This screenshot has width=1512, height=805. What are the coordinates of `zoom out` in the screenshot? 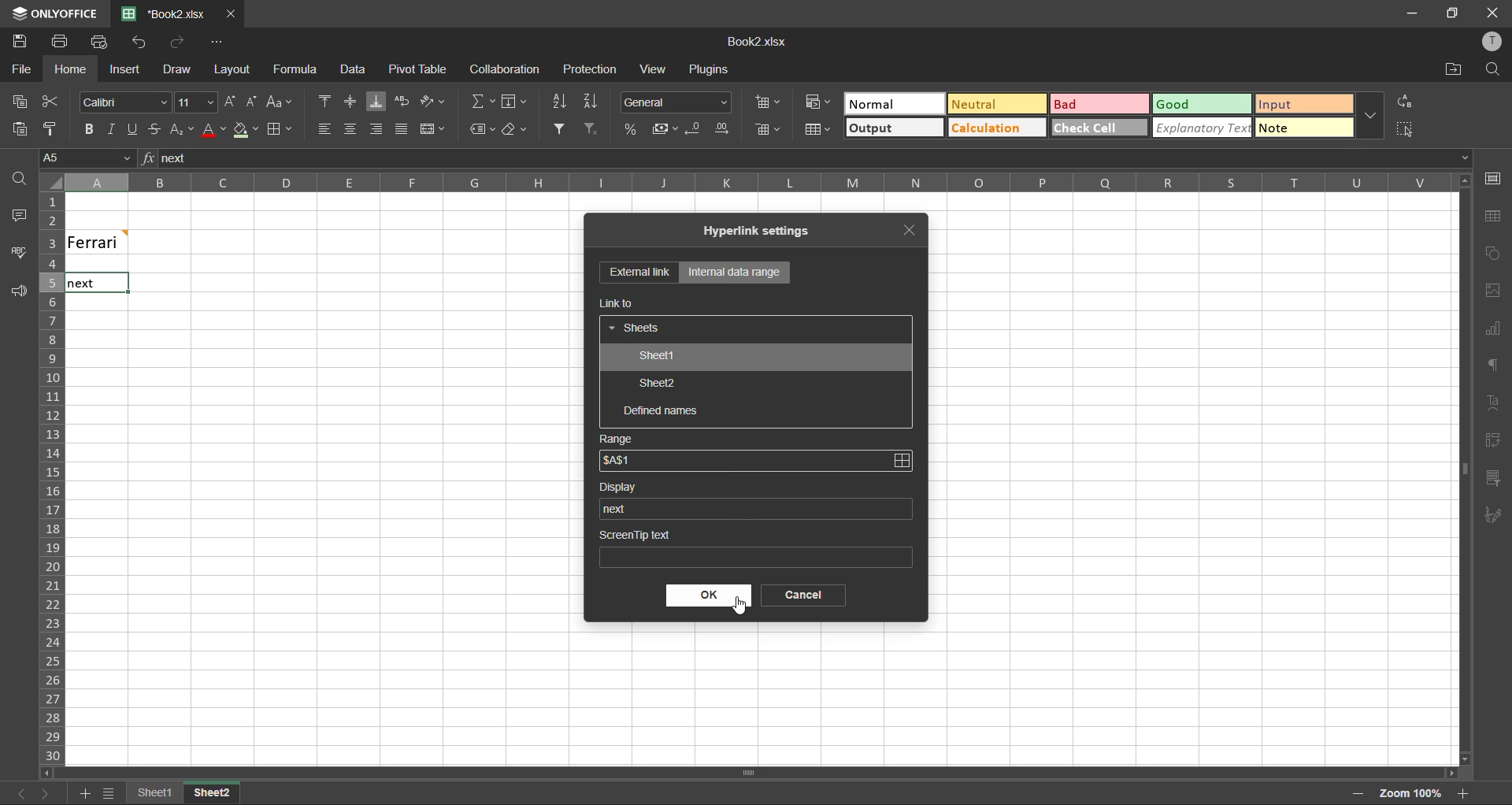 It's located at (1355, 795).